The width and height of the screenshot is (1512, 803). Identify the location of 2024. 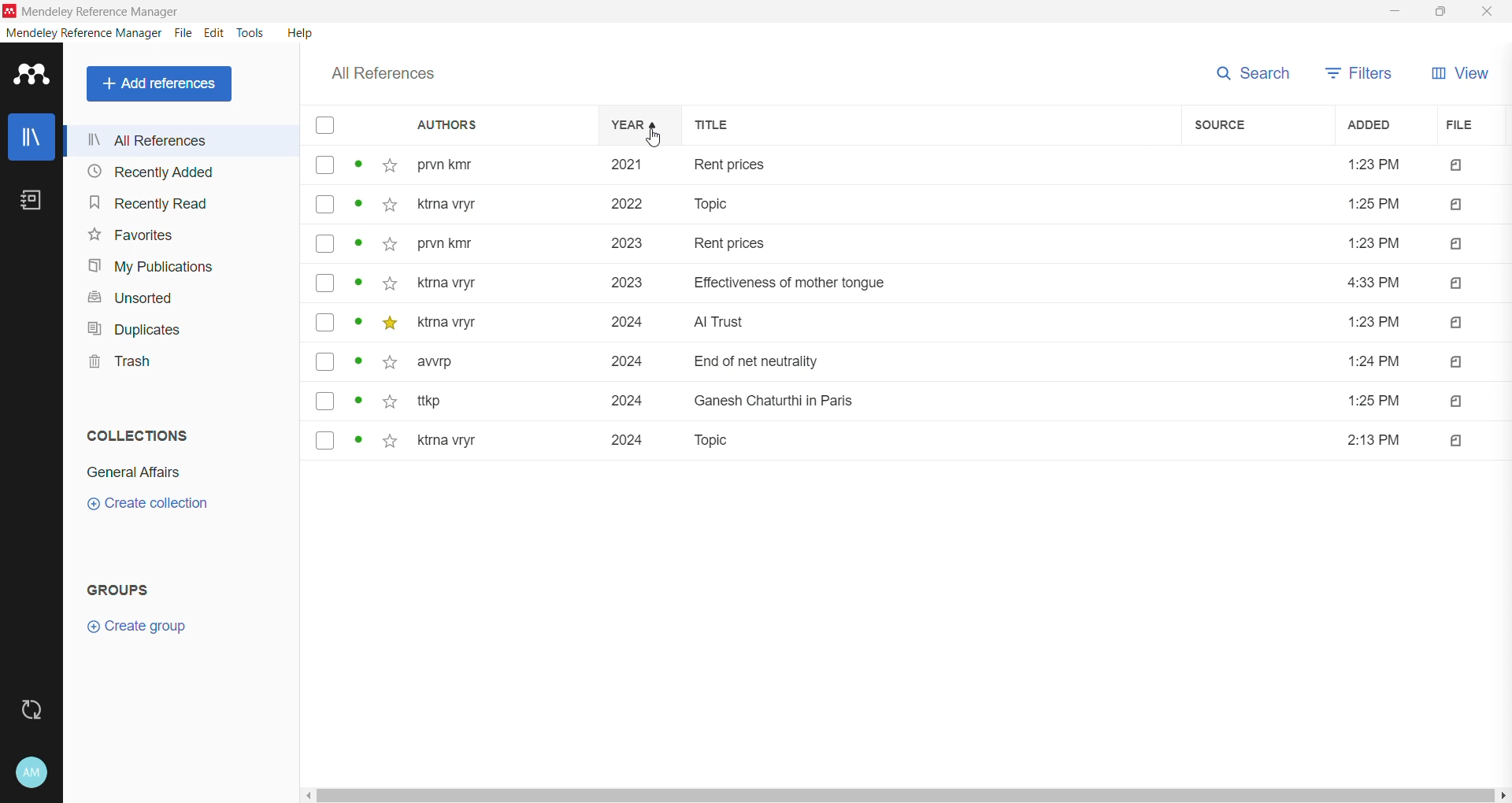
(628, 441).